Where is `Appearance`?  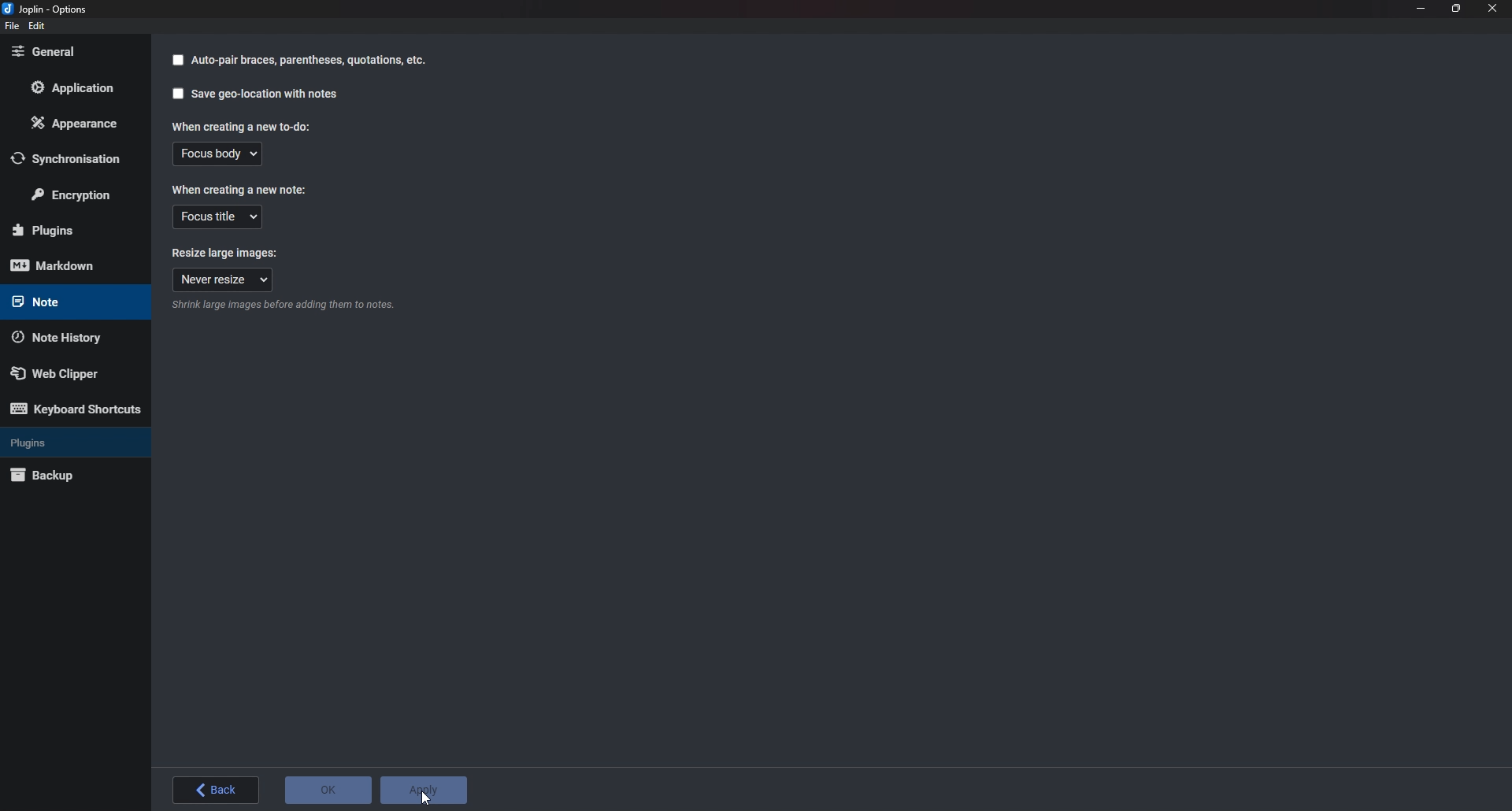
Appearance is located at coordinates (76, 126).